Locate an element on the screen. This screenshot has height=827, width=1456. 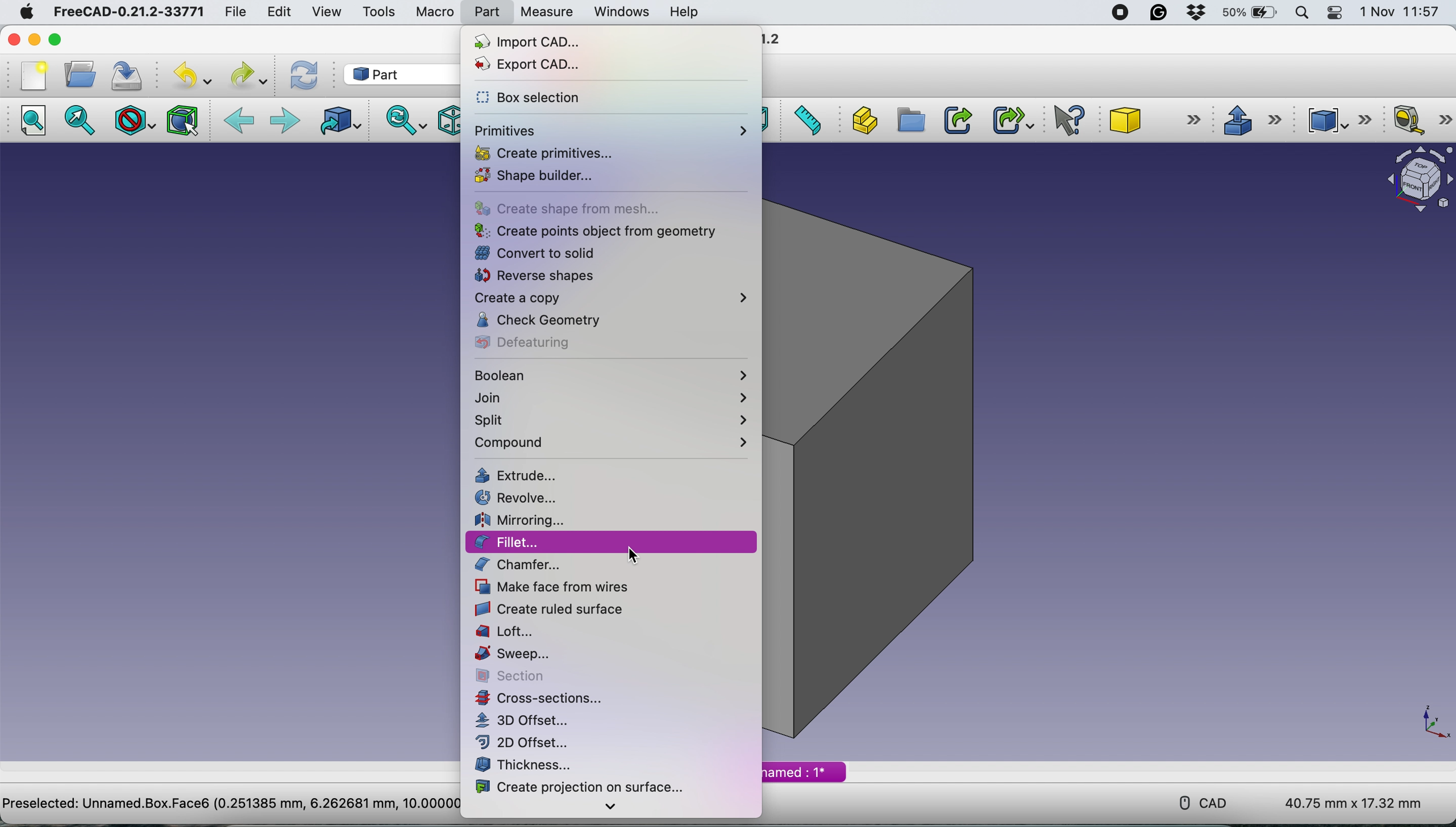
measure is located at coordinates (546, 12).